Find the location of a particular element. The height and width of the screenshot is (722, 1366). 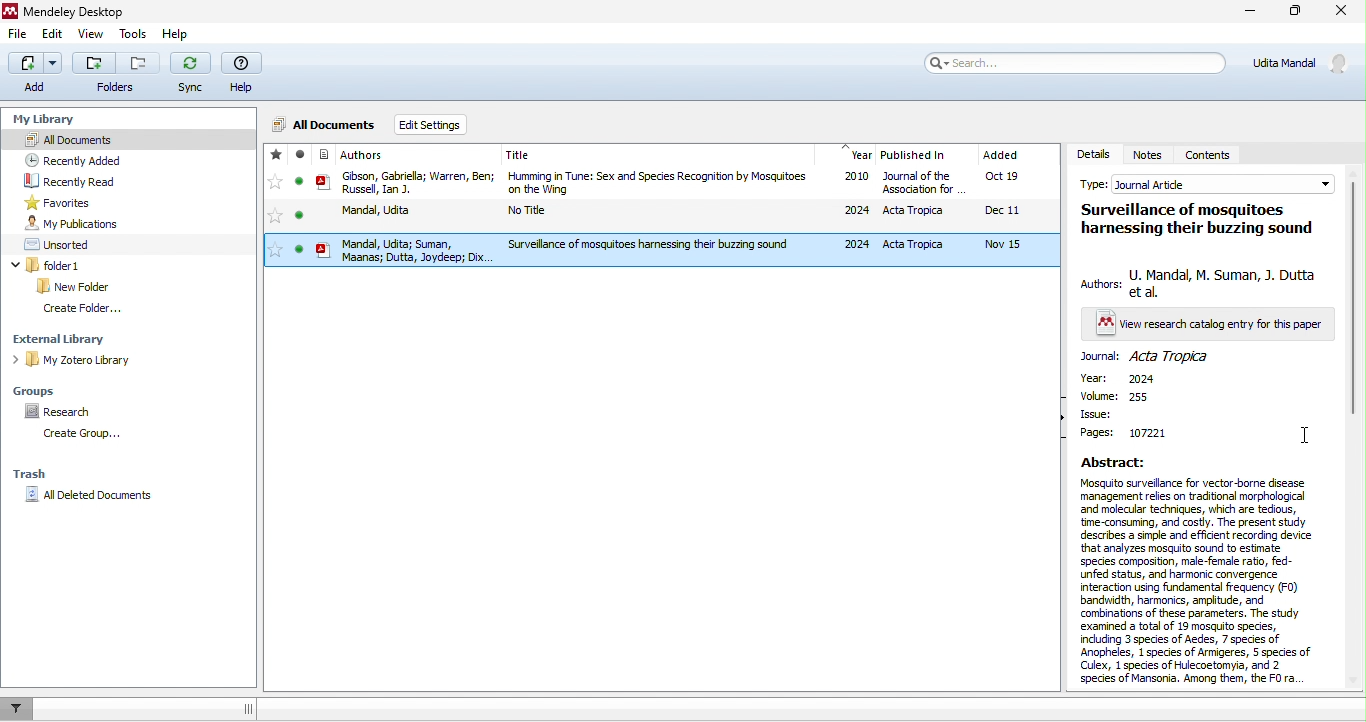

contents is located at coordinates (1218, 150).